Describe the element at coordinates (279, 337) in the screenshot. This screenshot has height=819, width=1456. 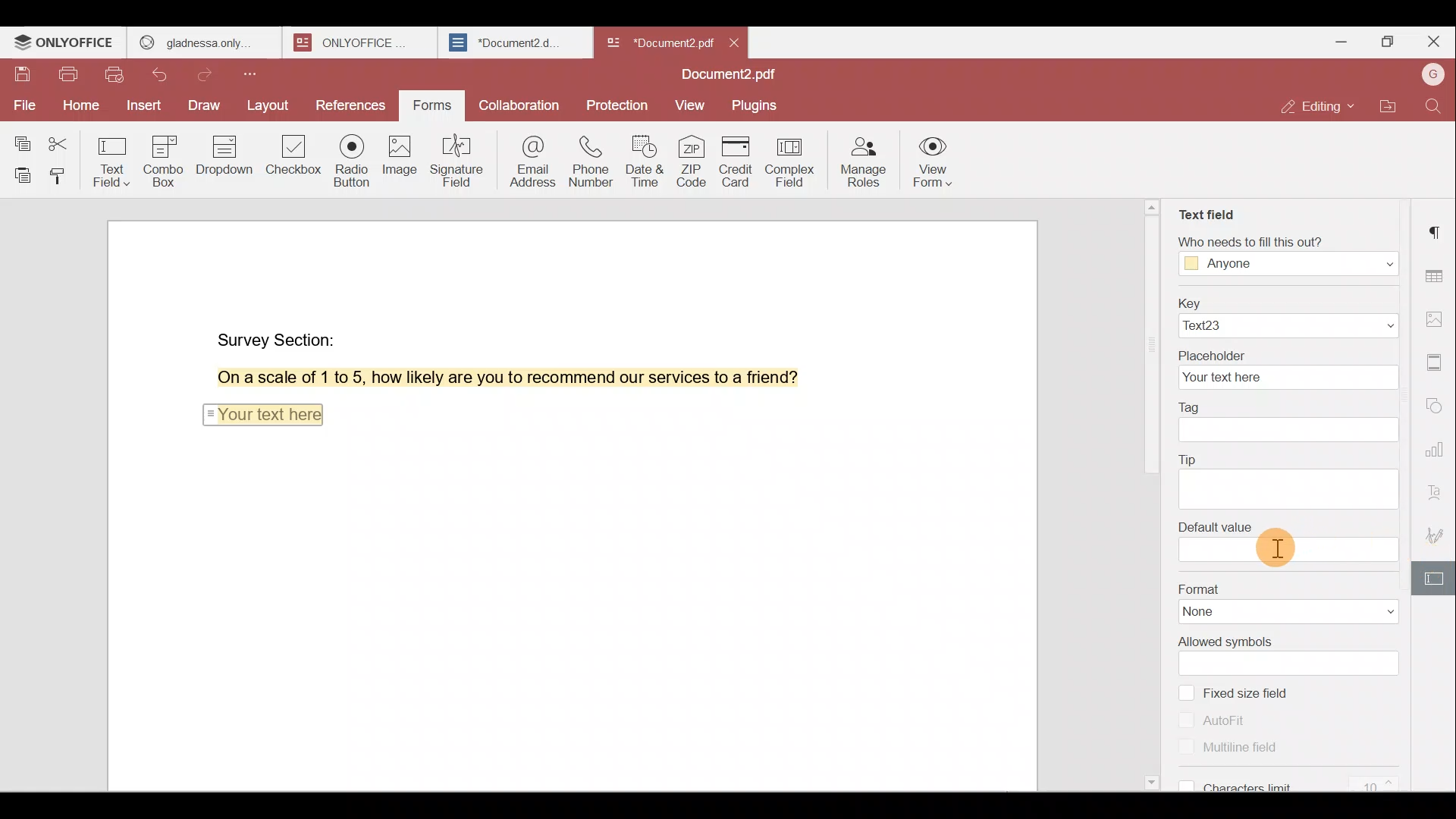
I see `Survey Section:` at that location.